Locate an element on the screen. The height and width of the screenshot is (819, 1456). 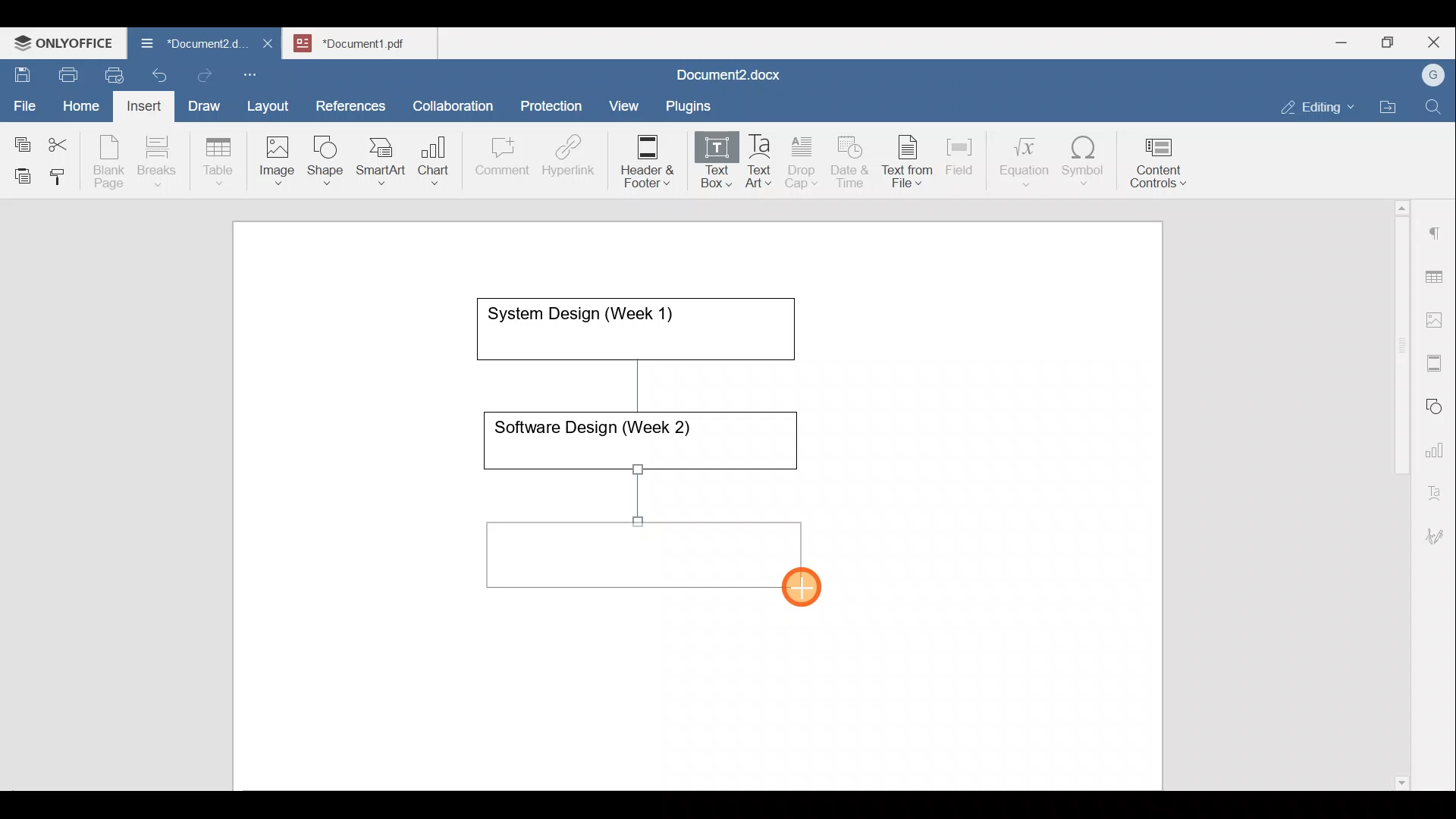
Find is located at coordinates (1435, 108).